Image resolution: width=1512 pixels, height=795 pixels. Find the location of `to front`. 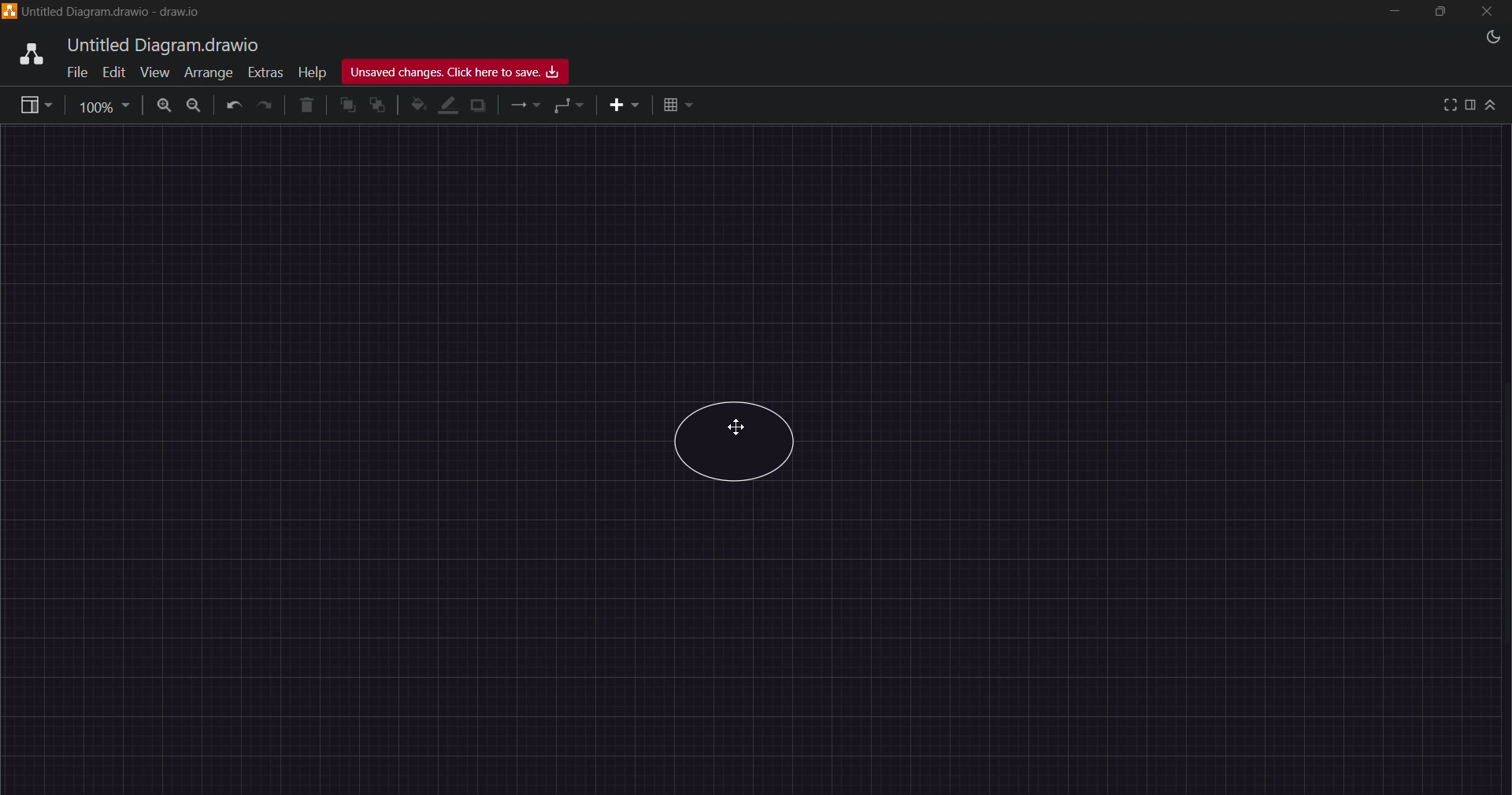

to front is located at coordinates (348, 105).